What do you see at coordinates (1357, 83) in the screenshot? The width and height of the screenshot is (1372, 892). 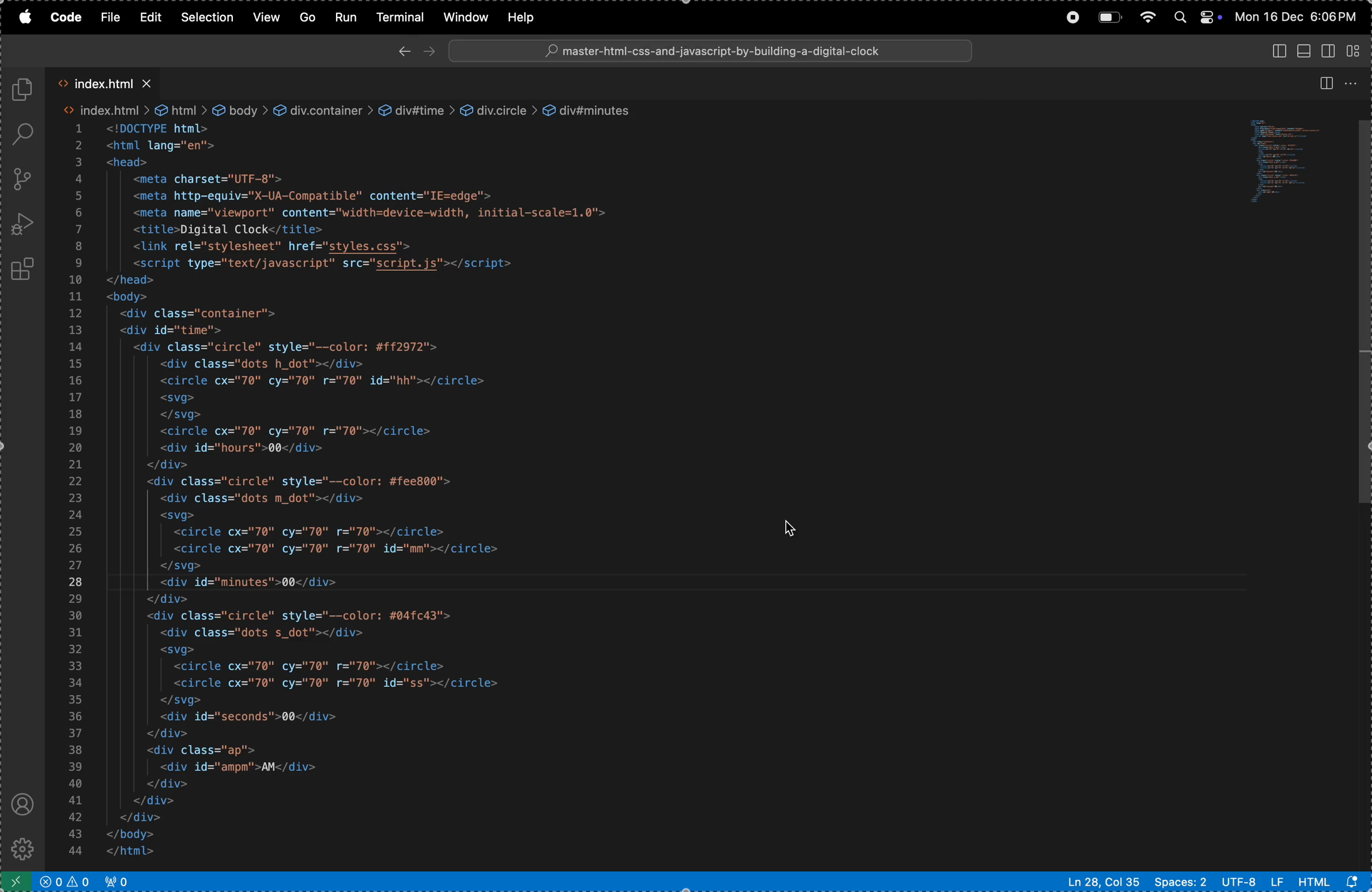 I see `option` at bounding box center [1357, 83].